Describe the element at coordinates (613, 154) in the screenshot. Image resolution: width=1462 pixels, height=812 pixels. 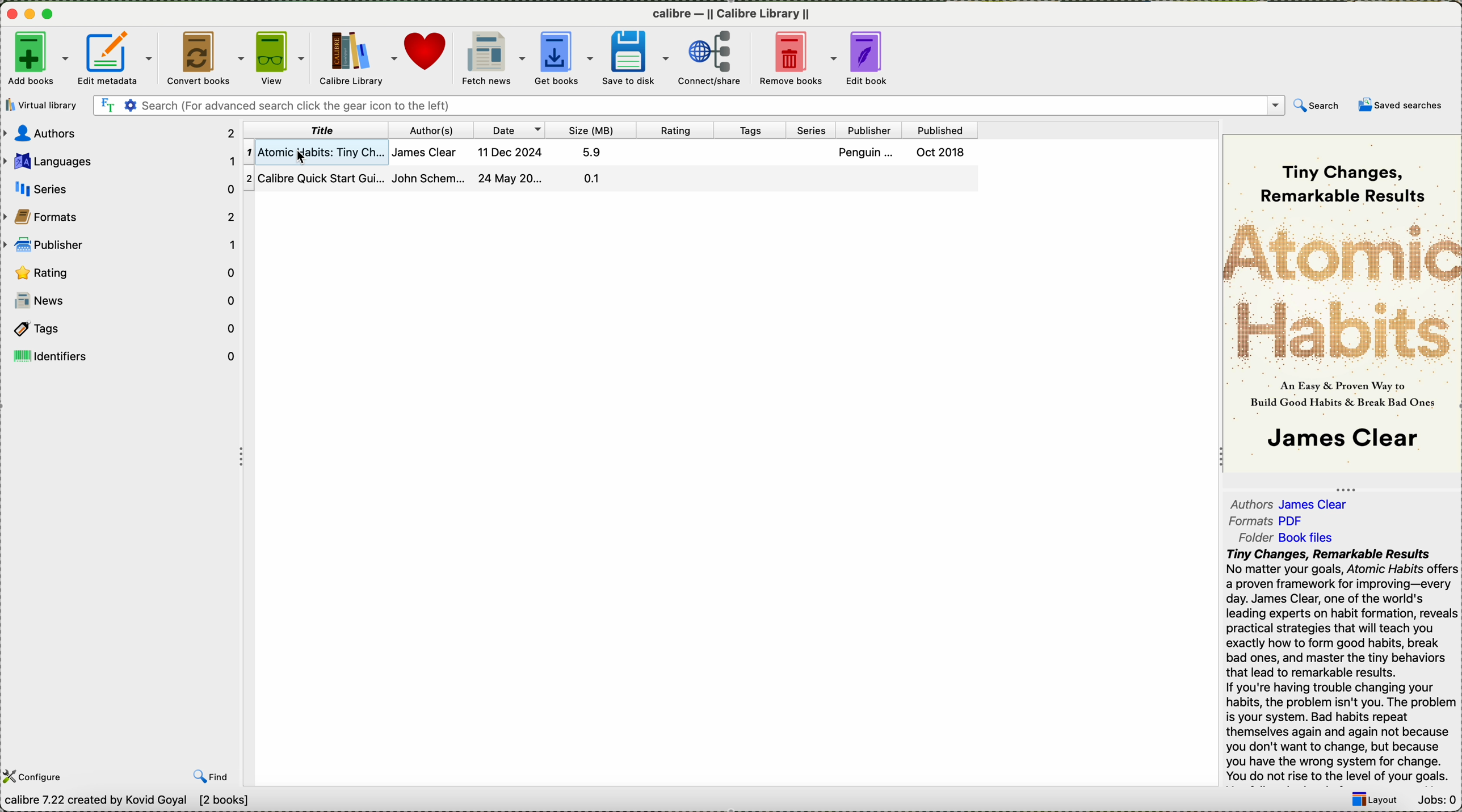
I see `1 atomic Nabits: Tiny Ch... James Clear 11 Dec 2024 5.9 Penguin ... Oct 2018` at that location.